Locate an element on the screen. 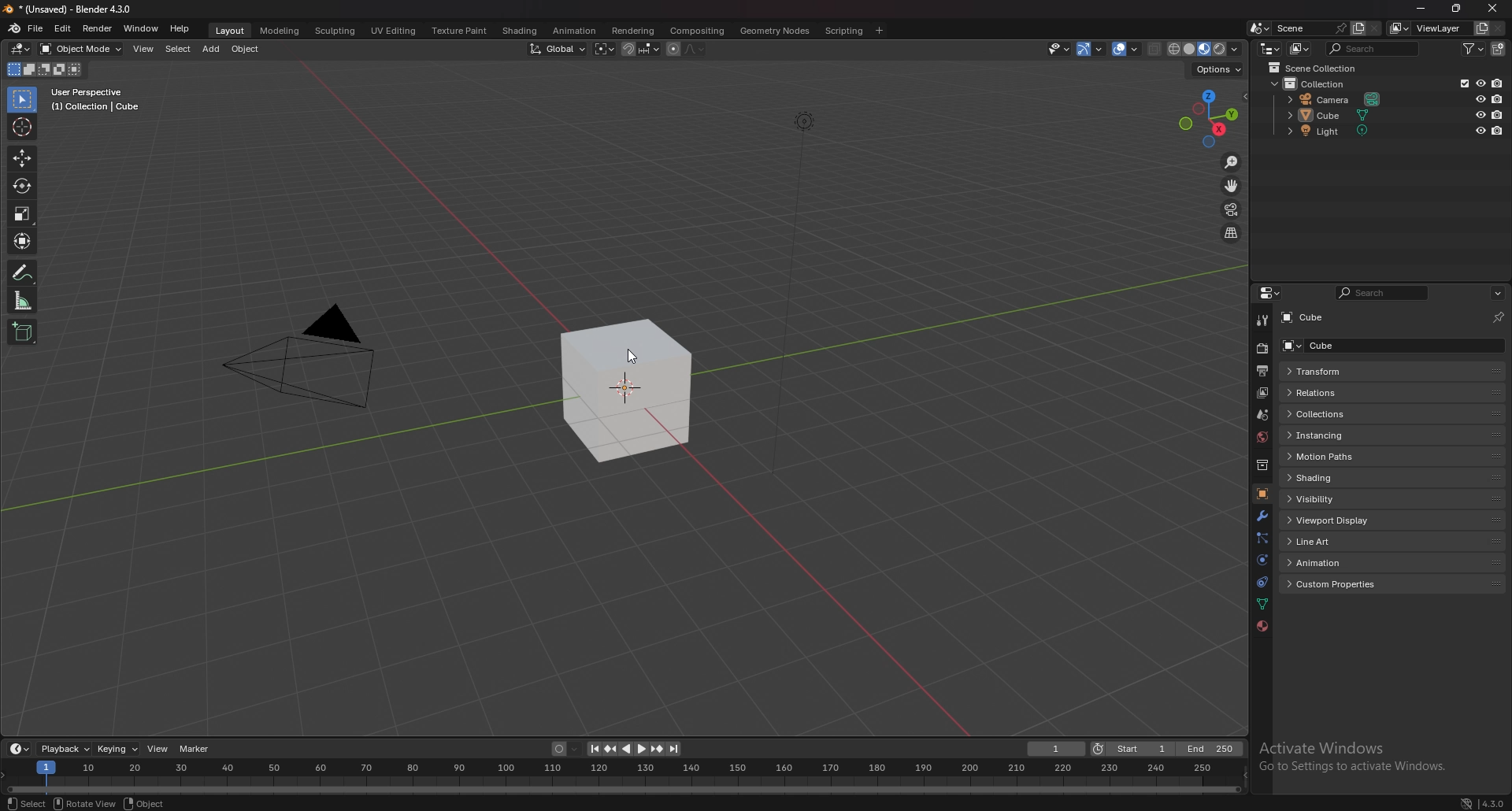  mode is located at coordinates (43, 70).